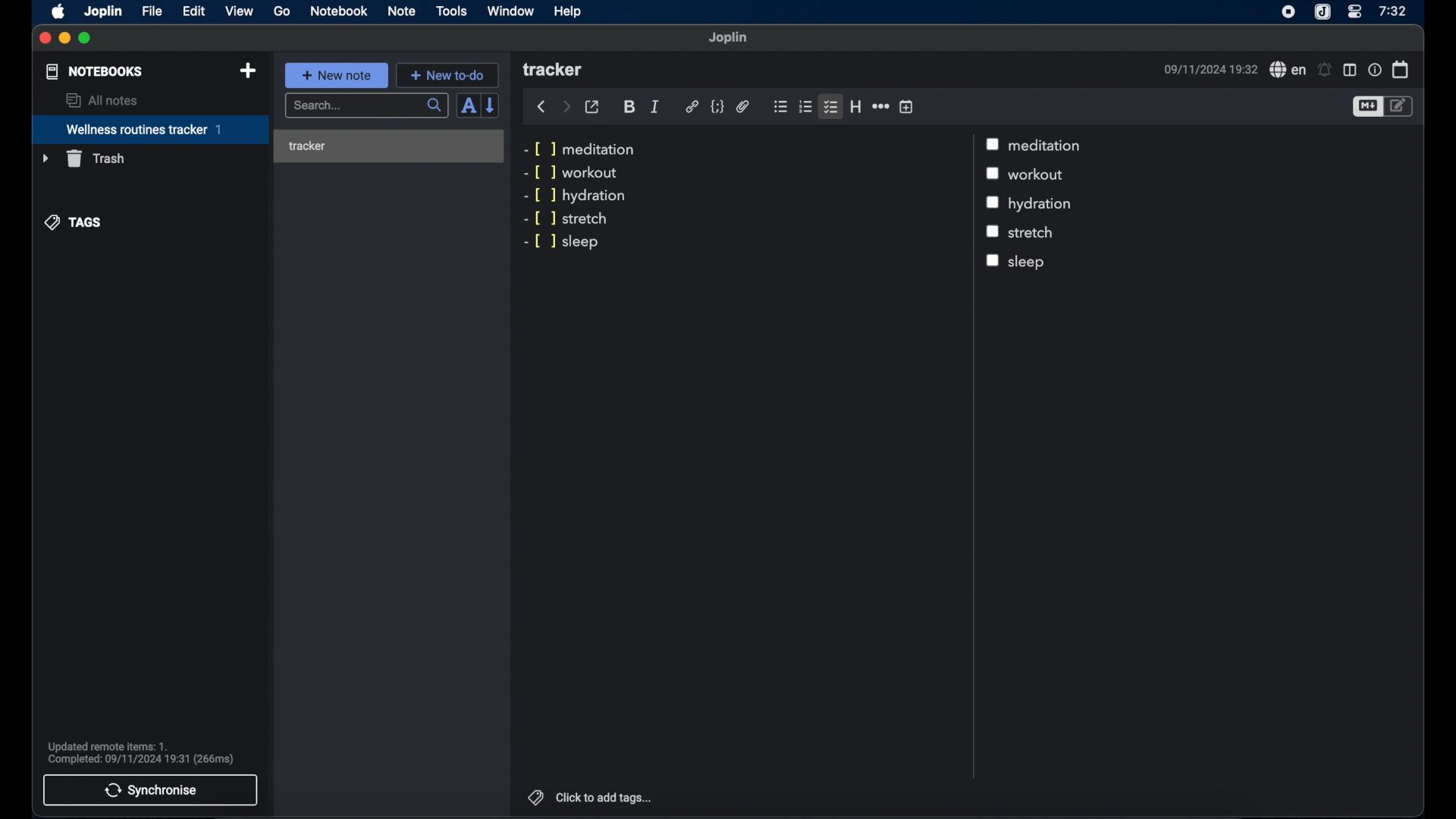  Describe the element at coordinates (511, 11) in the screenshot. I see `window` at that location.